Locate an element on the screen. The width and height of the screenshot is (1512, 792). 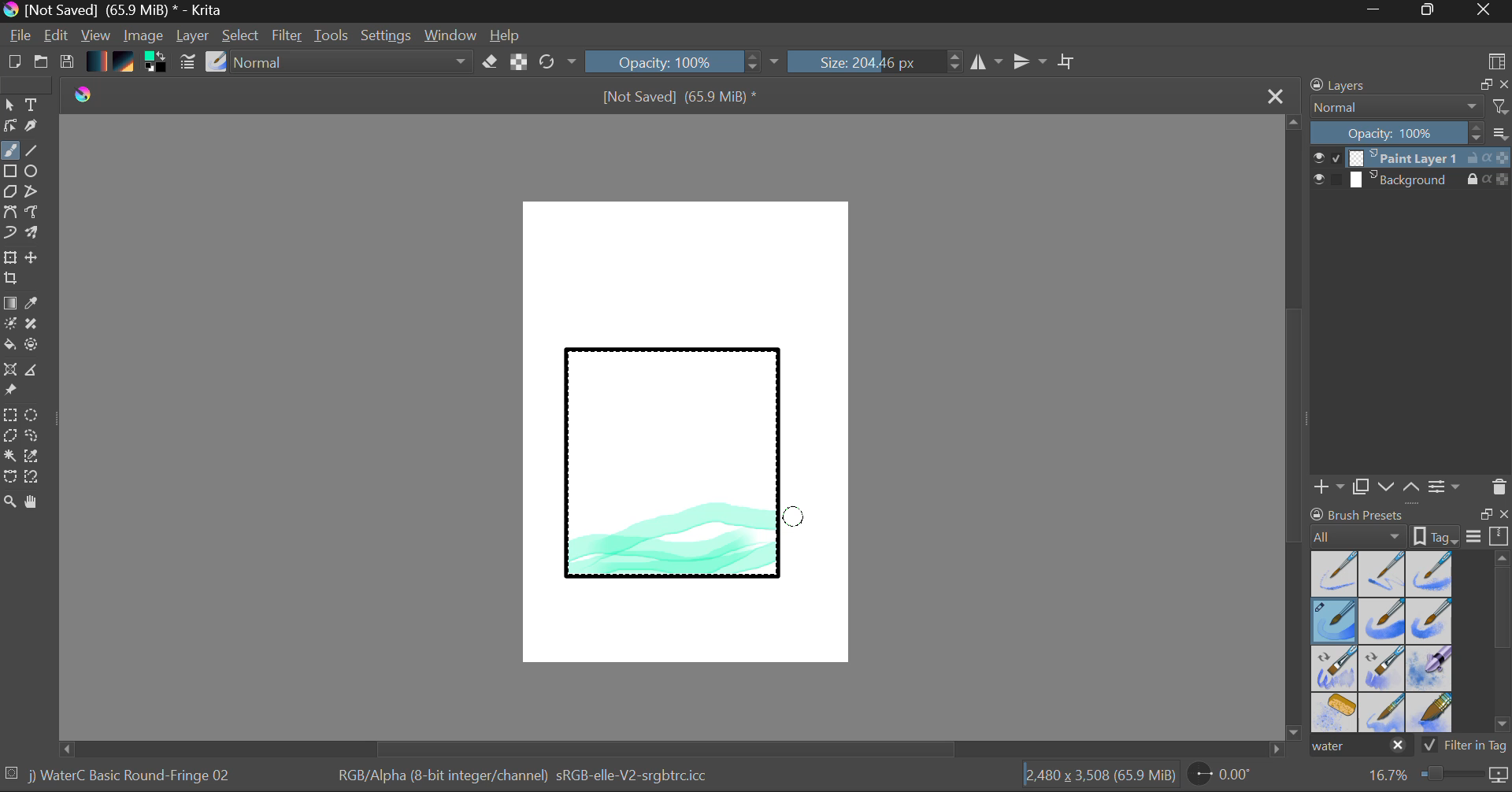
Gradient is located at coordinates (95, 60).